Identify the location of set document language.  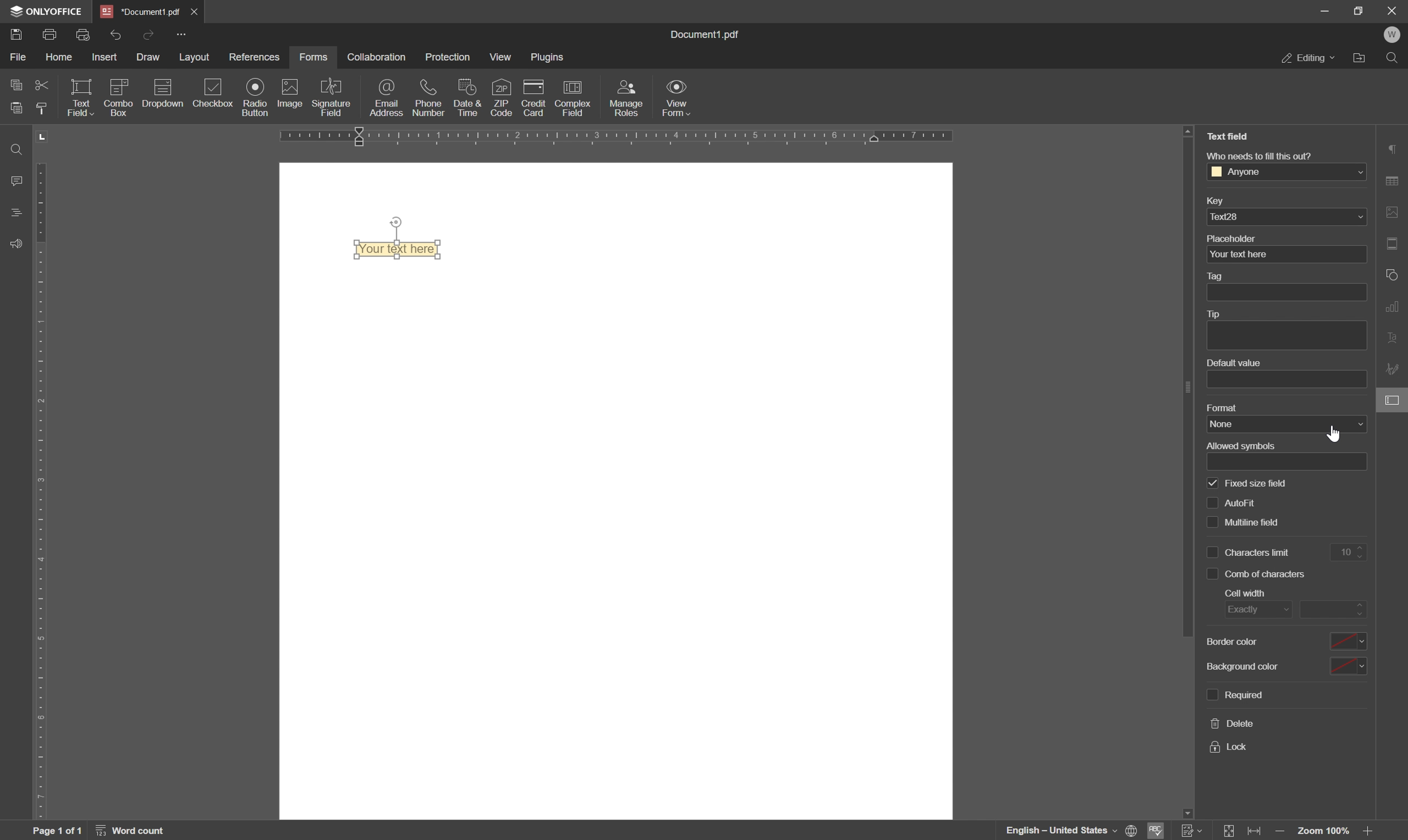
(1131, 832).